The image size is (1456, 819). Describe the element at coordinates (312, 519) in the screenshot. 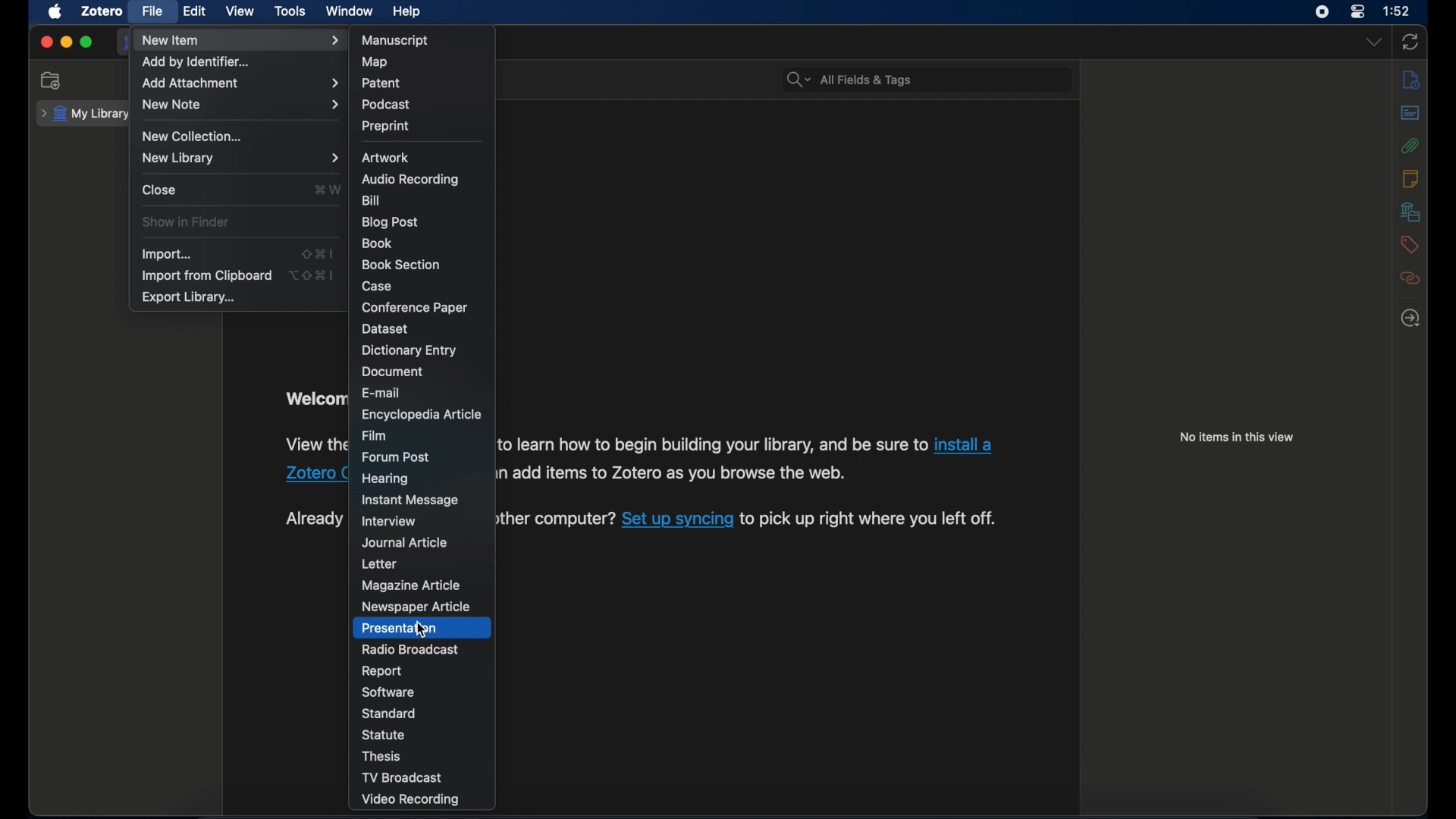

I see `Already` at that location.